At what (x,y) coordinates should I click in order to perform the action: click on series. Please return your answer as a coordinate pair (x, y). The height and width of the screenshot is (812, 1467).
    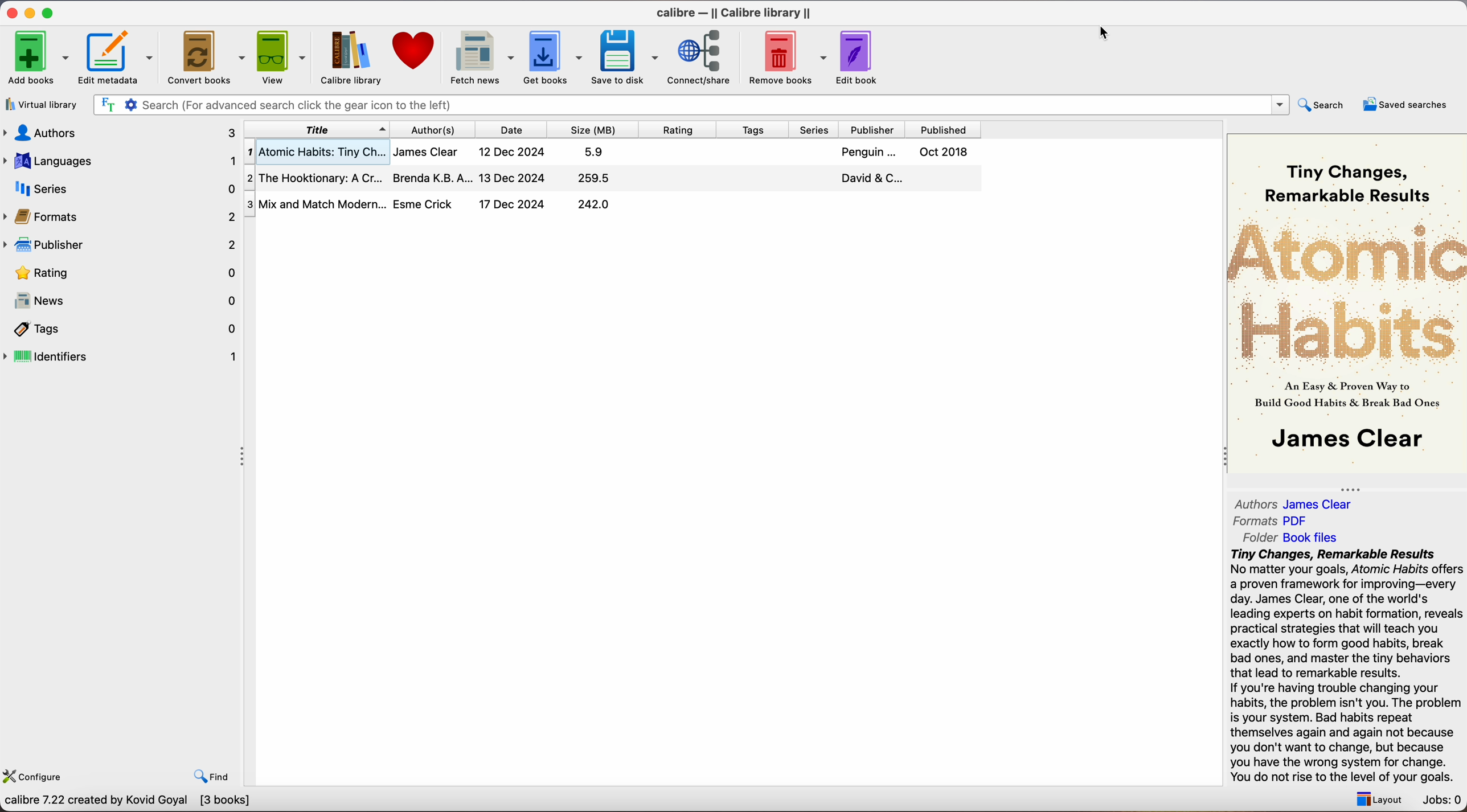
    Looking at the image, I should click on (121, 188).